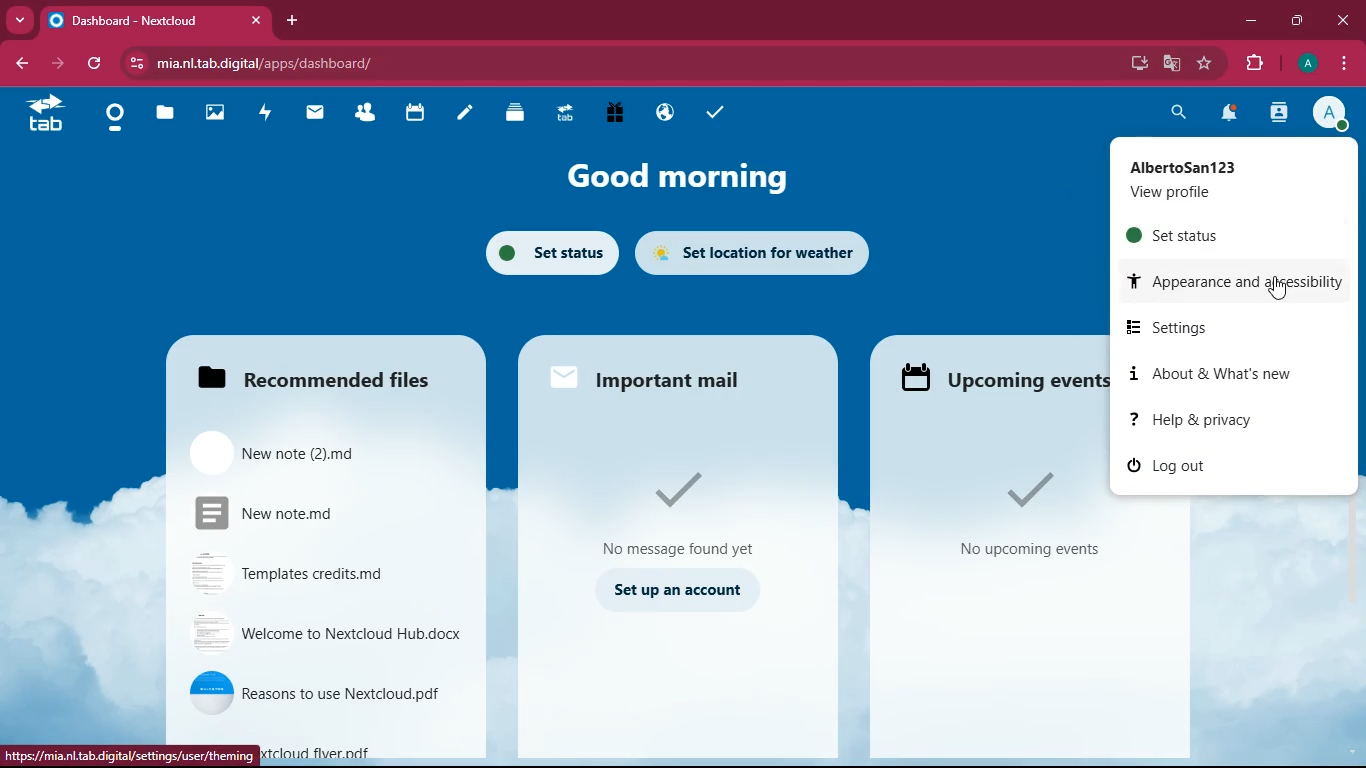 This screenshot has width=1366, height=768. Describe the element at coordinates (115, 122) in the screenshot. I see `home` at that location.